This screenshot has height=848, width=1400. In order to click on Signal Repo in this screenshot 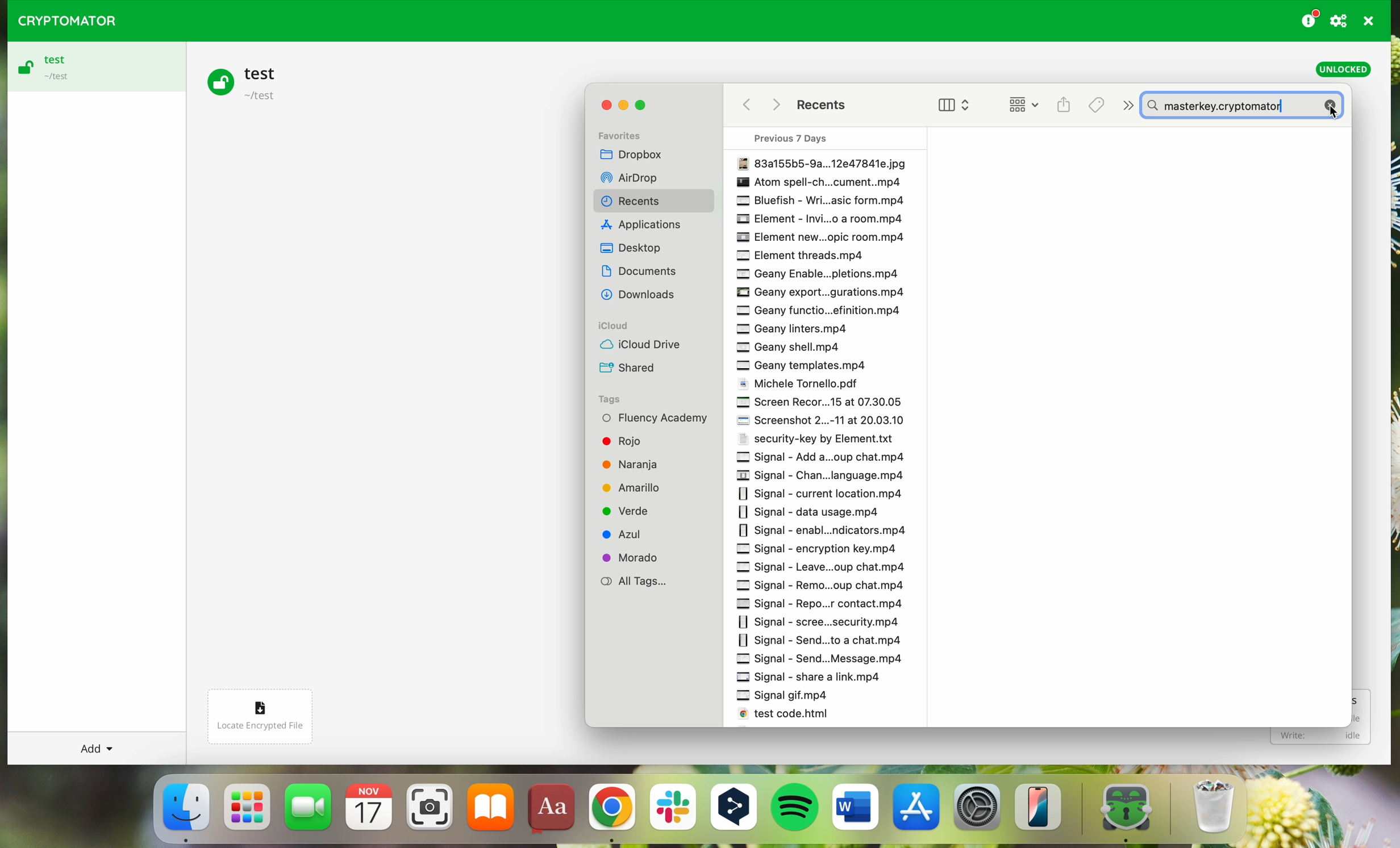, I will do `click(824, 604)`.